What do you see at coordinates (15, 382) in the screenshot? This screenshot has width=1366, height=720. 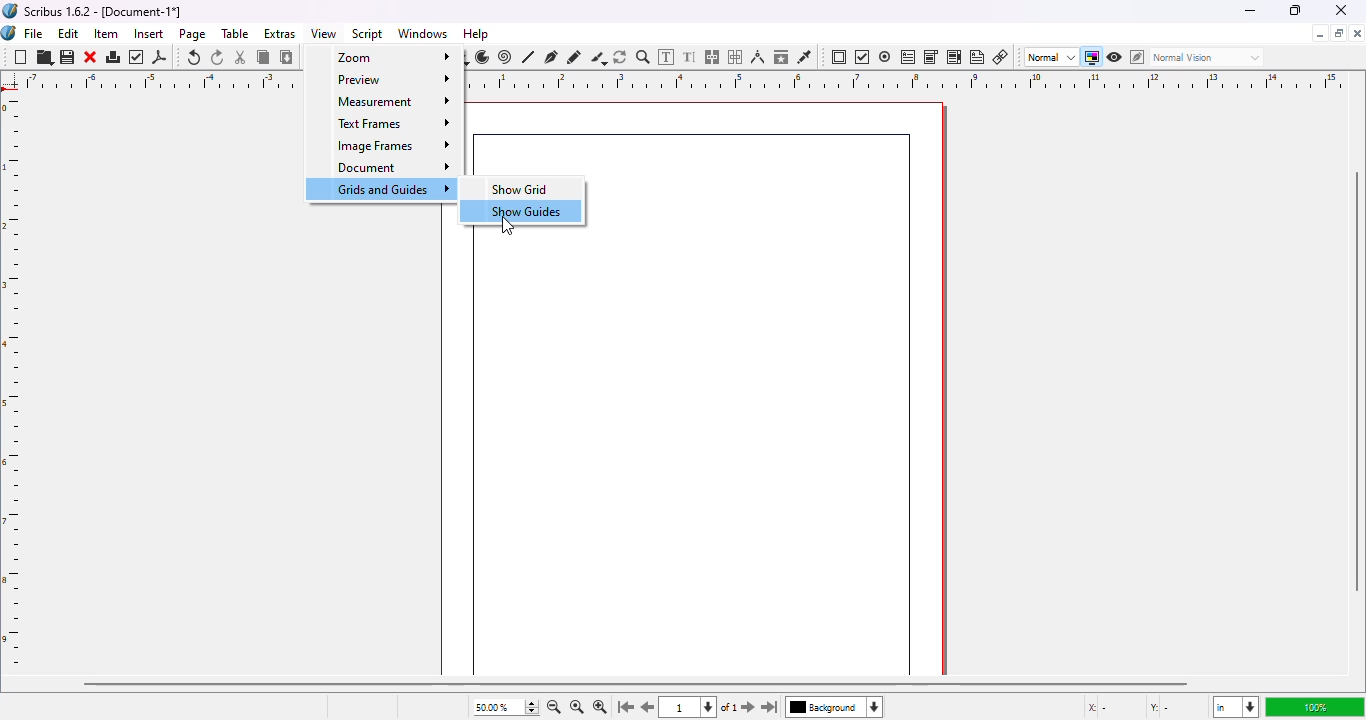 I see `ruler` at bounding box center [15, 382].